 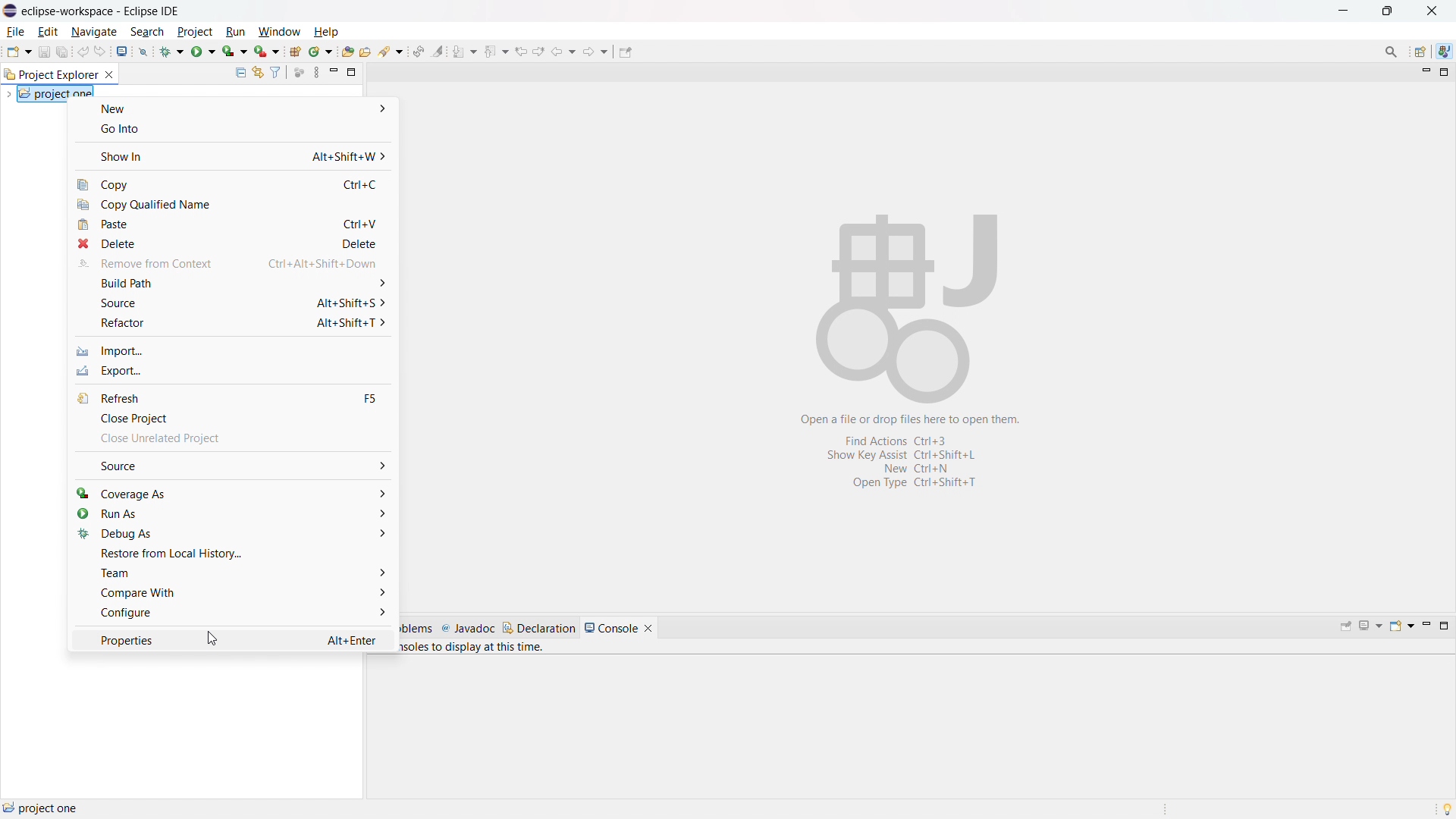 What do you see at coordinates (294, 52) in the screenshot?
I see `new java project` at bounding box center [294, 52].